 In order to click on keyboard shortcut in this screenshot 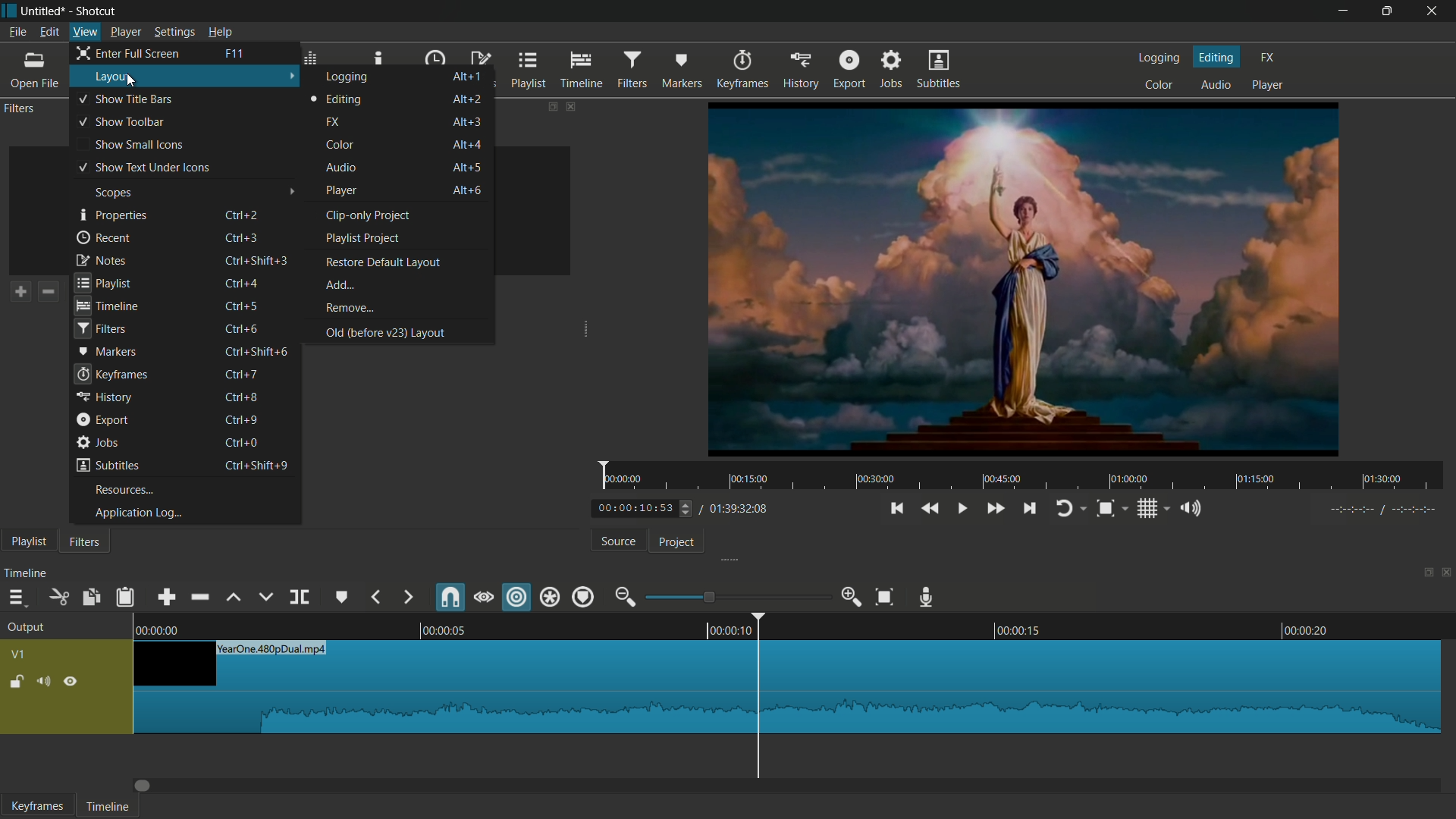, I will do `click(256, 351)`.